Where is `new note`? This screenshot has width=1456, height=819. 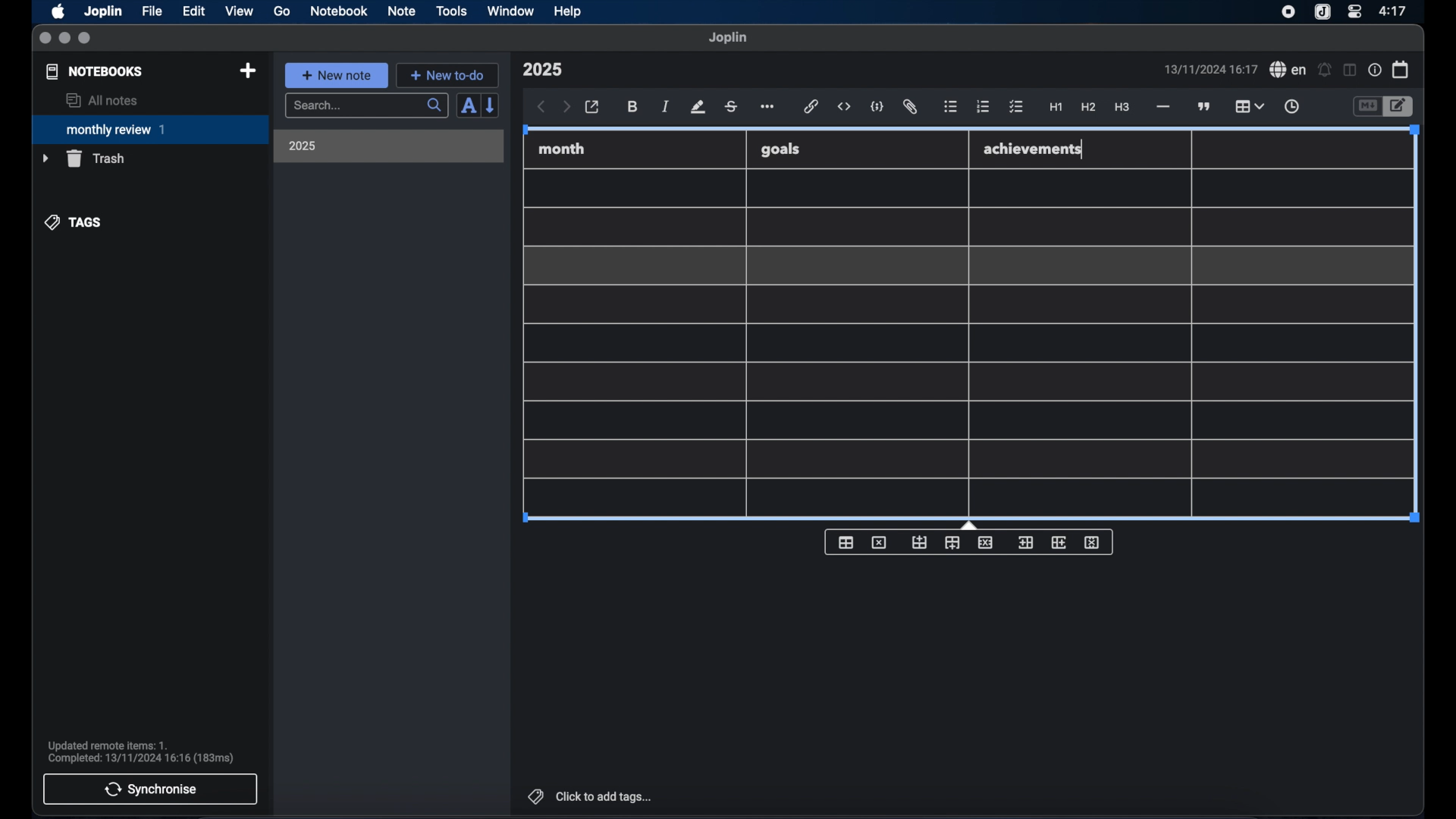 new note is located at coordinates (336, 75).